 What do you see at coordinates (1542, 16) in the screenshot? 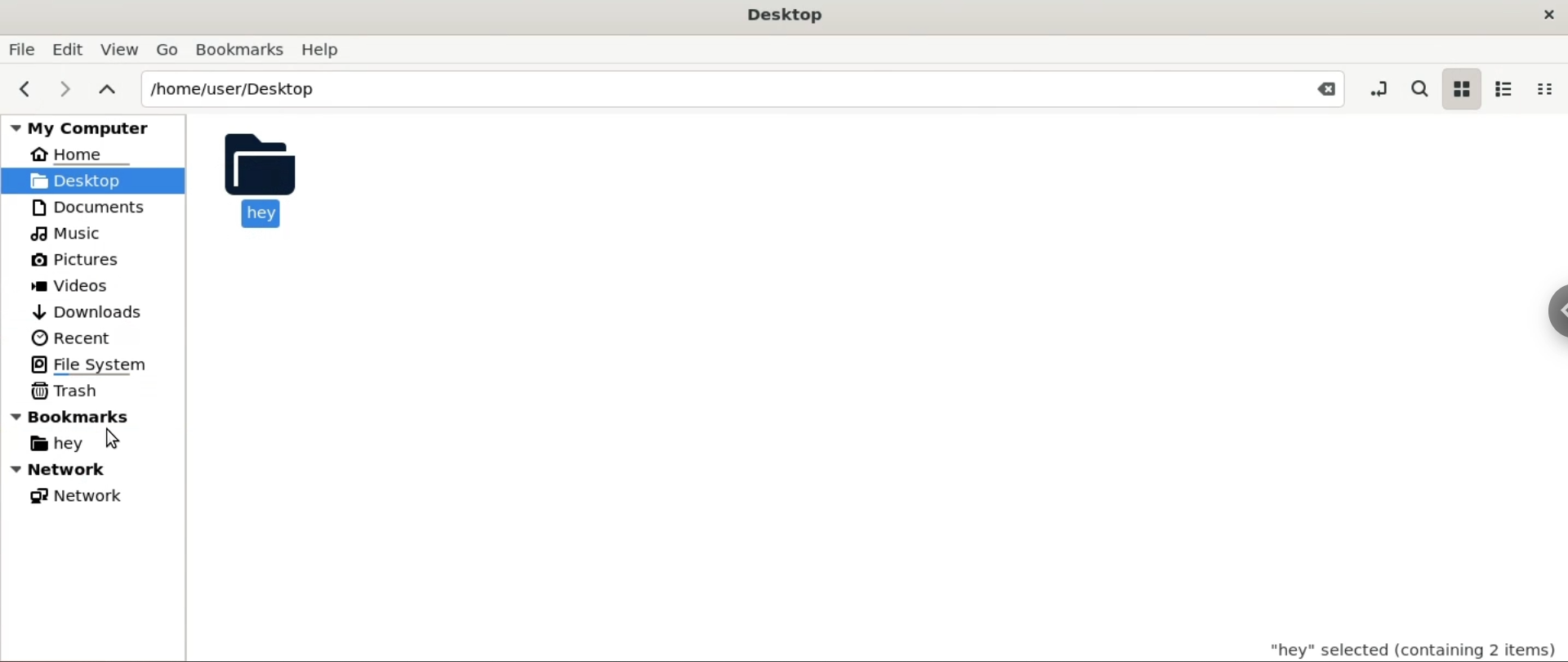
I see `close` at bounding box center [1542, 16].